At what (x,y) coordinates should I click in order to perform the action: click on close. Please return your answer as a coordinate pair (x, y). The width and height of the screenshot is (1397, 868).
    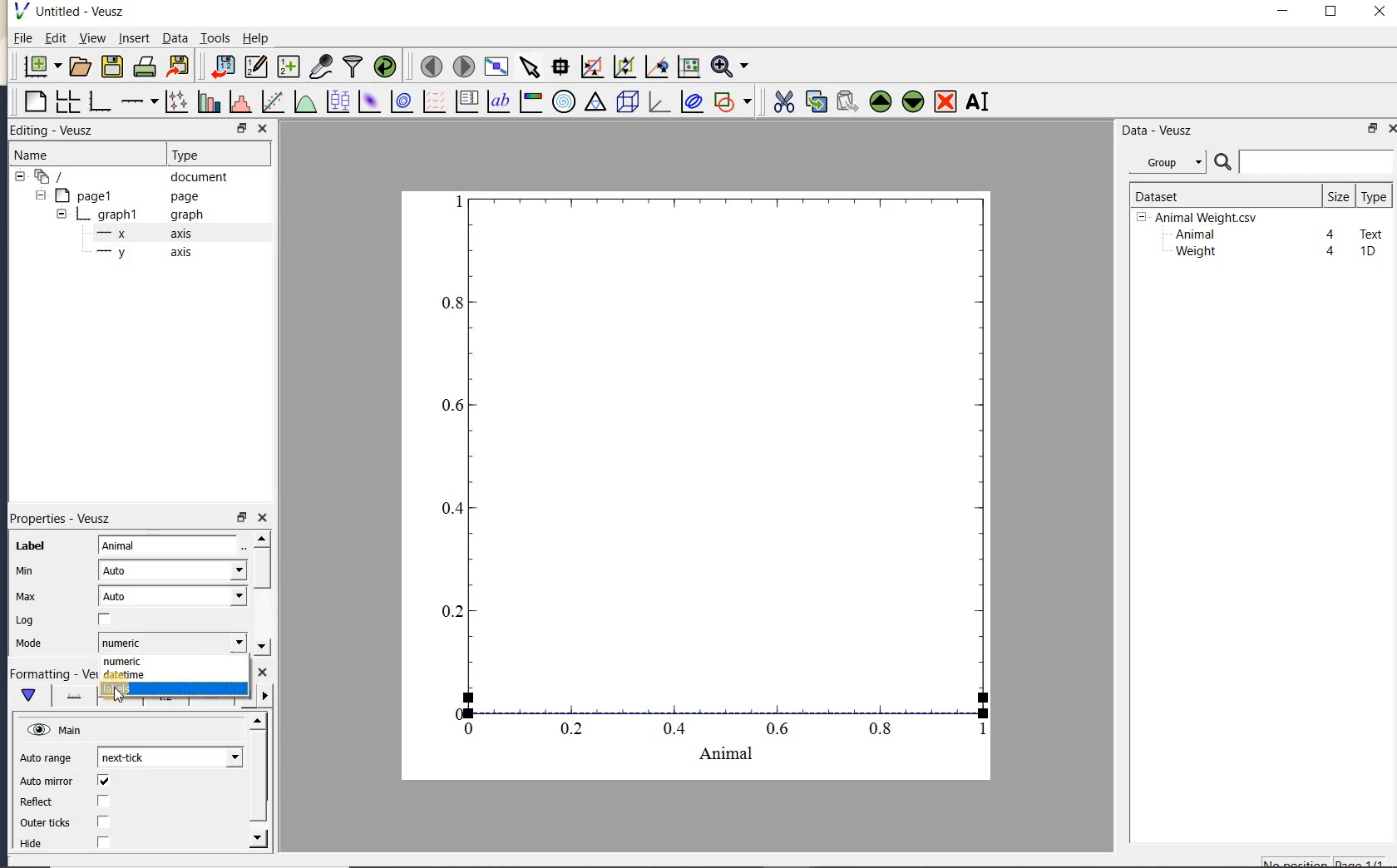
    Looking at the image, I should click on (1391, 129).